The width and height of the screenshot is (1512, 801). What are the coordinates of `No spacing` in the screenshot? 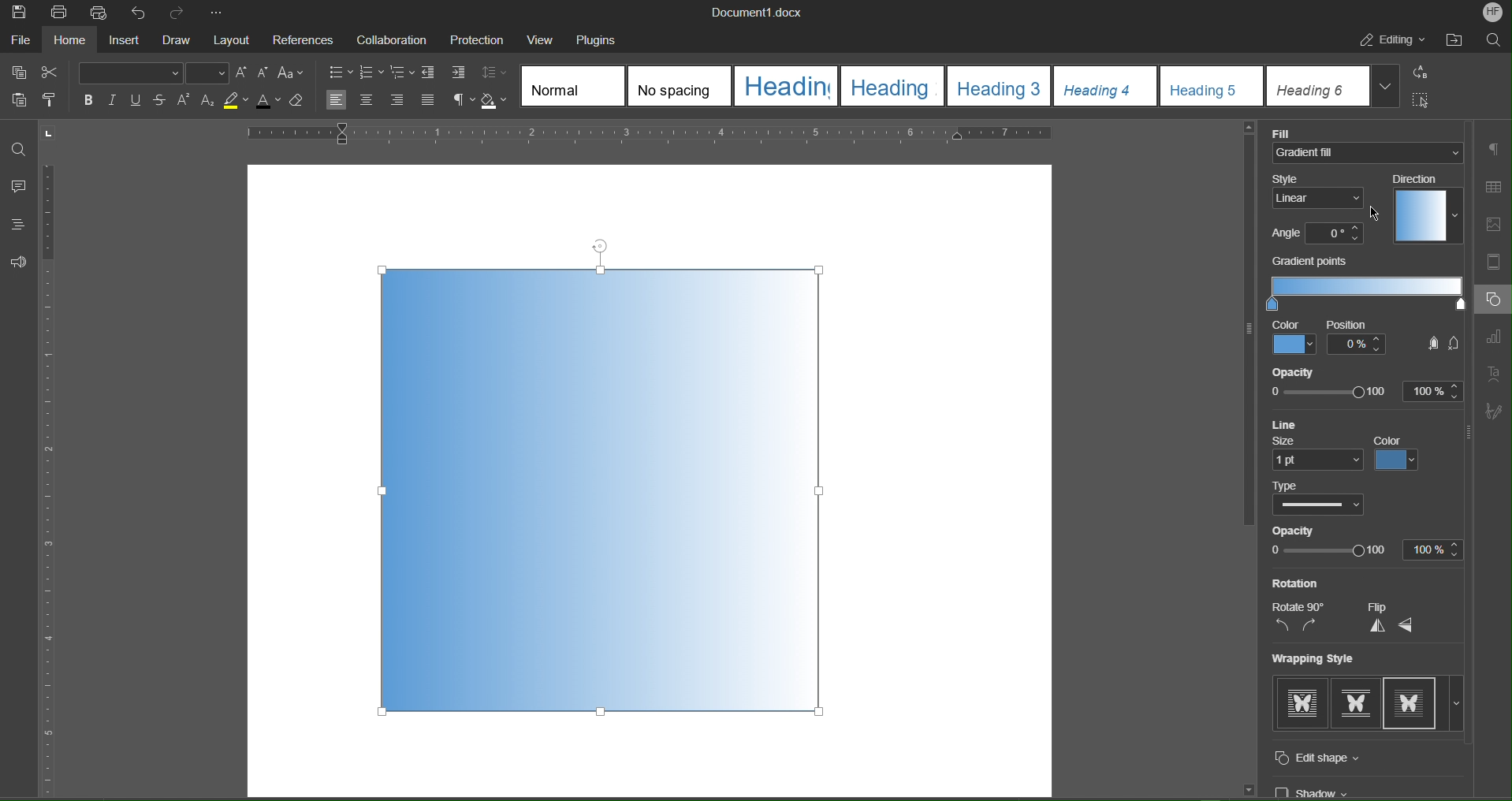 It's located at (678, 85).